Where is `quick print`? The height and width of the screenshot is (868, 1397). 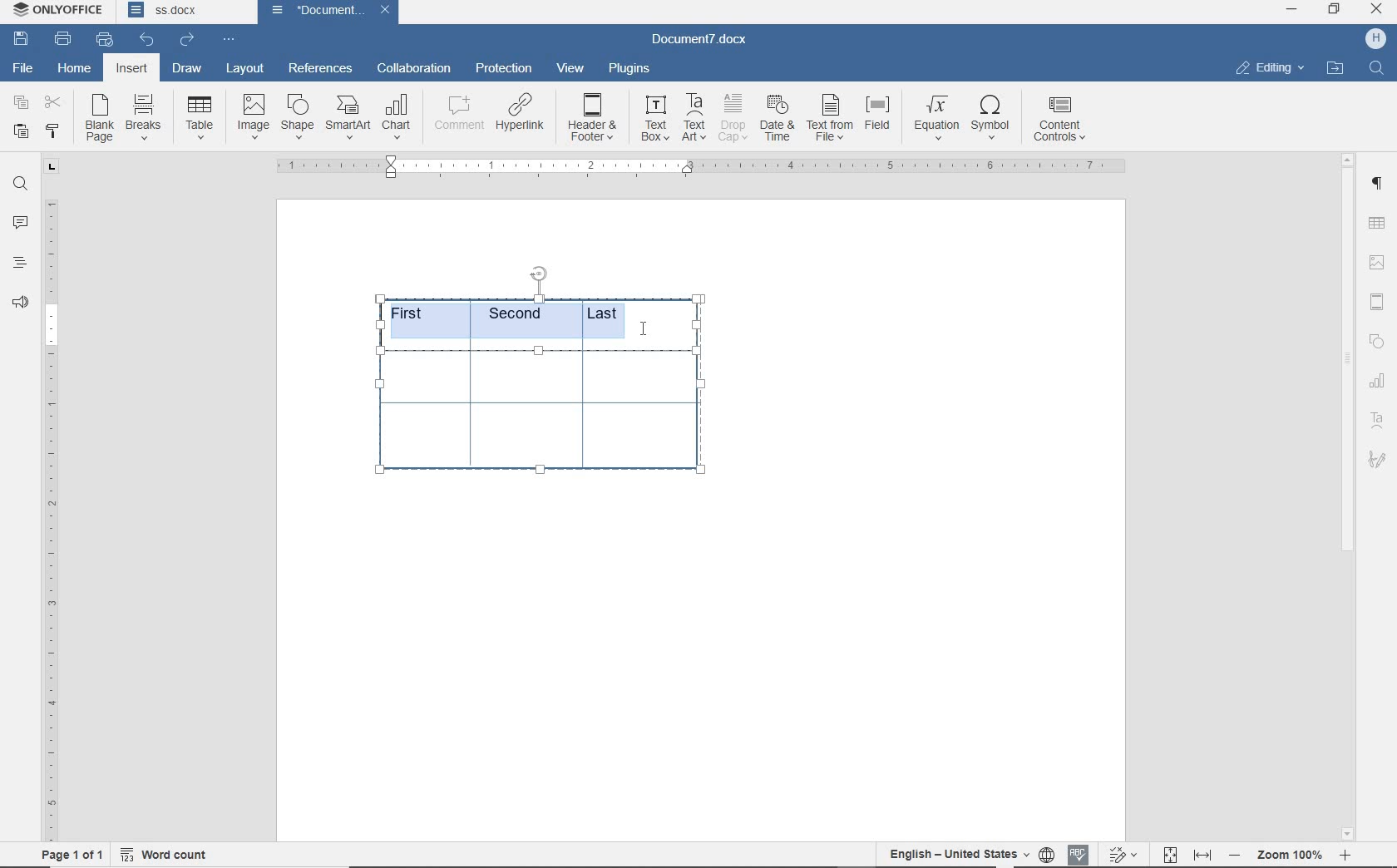
quick print is located at coordinates (104, 40).